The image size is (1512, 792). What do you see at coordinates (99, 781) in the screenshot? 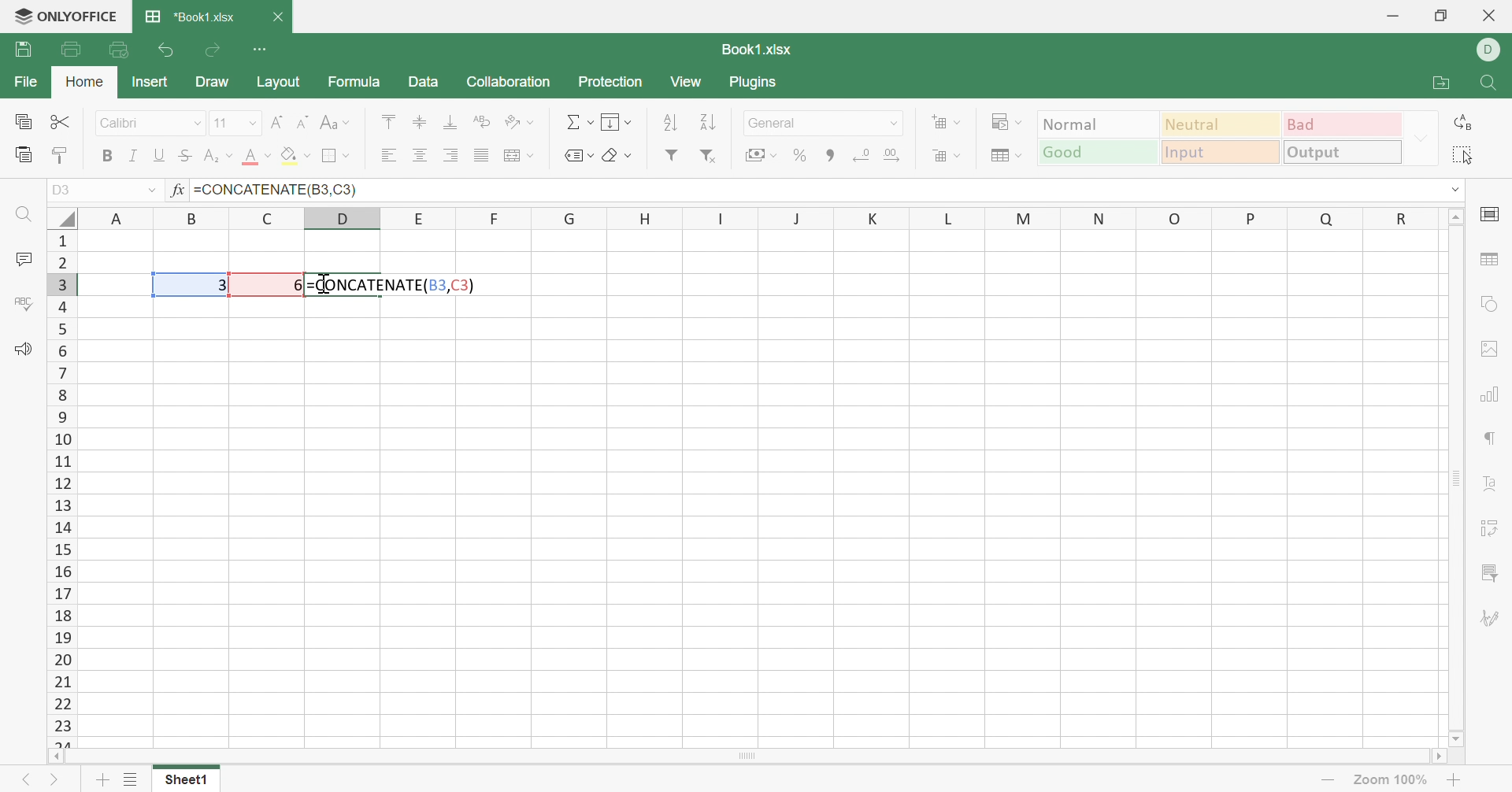
I see `Add sheet` at bounding box center [99, 781].